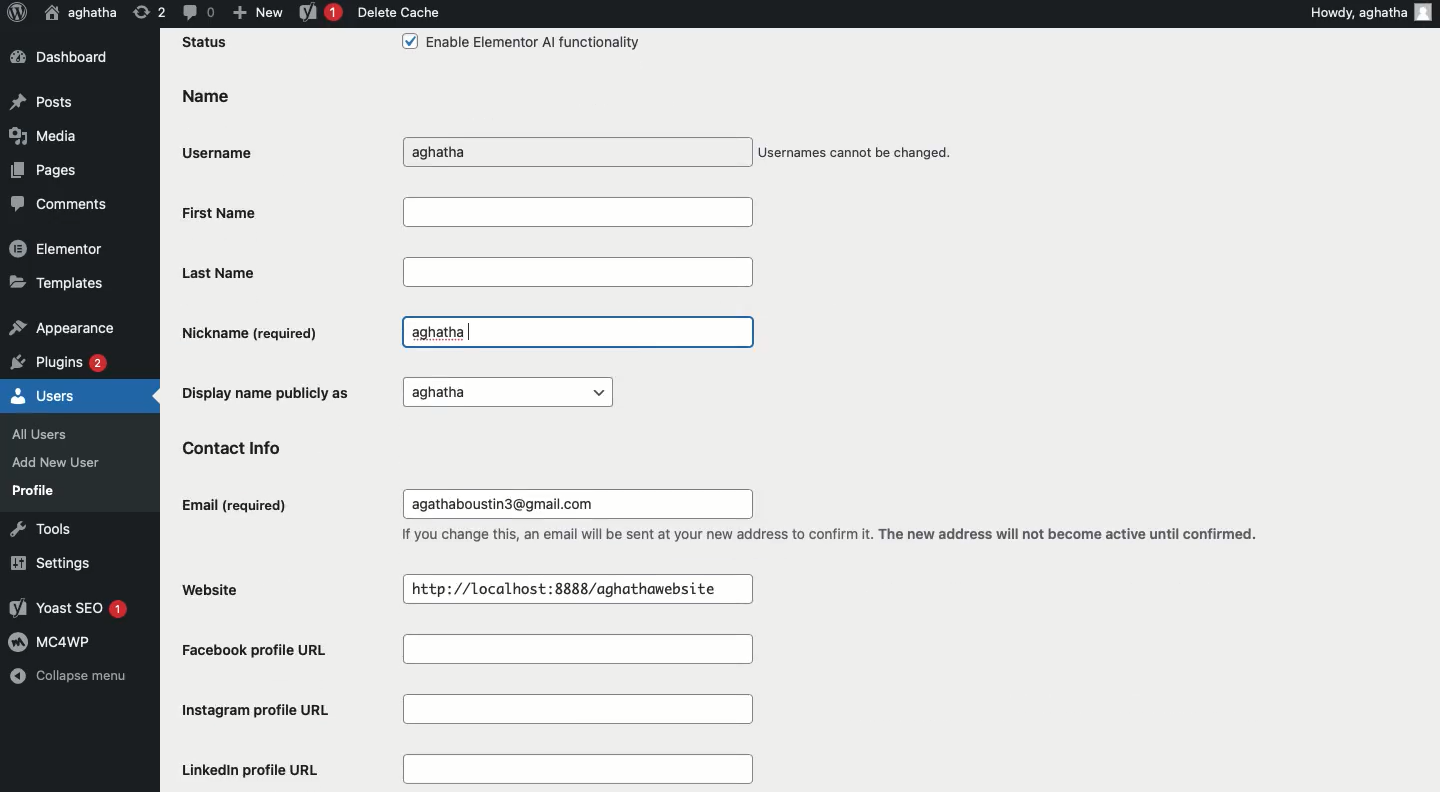 The width and height of the screenshot is (1440, 792). What do you see at coordinates (220, 588) in the screenshot?
I see `Website` at bounding box center [220, 588].